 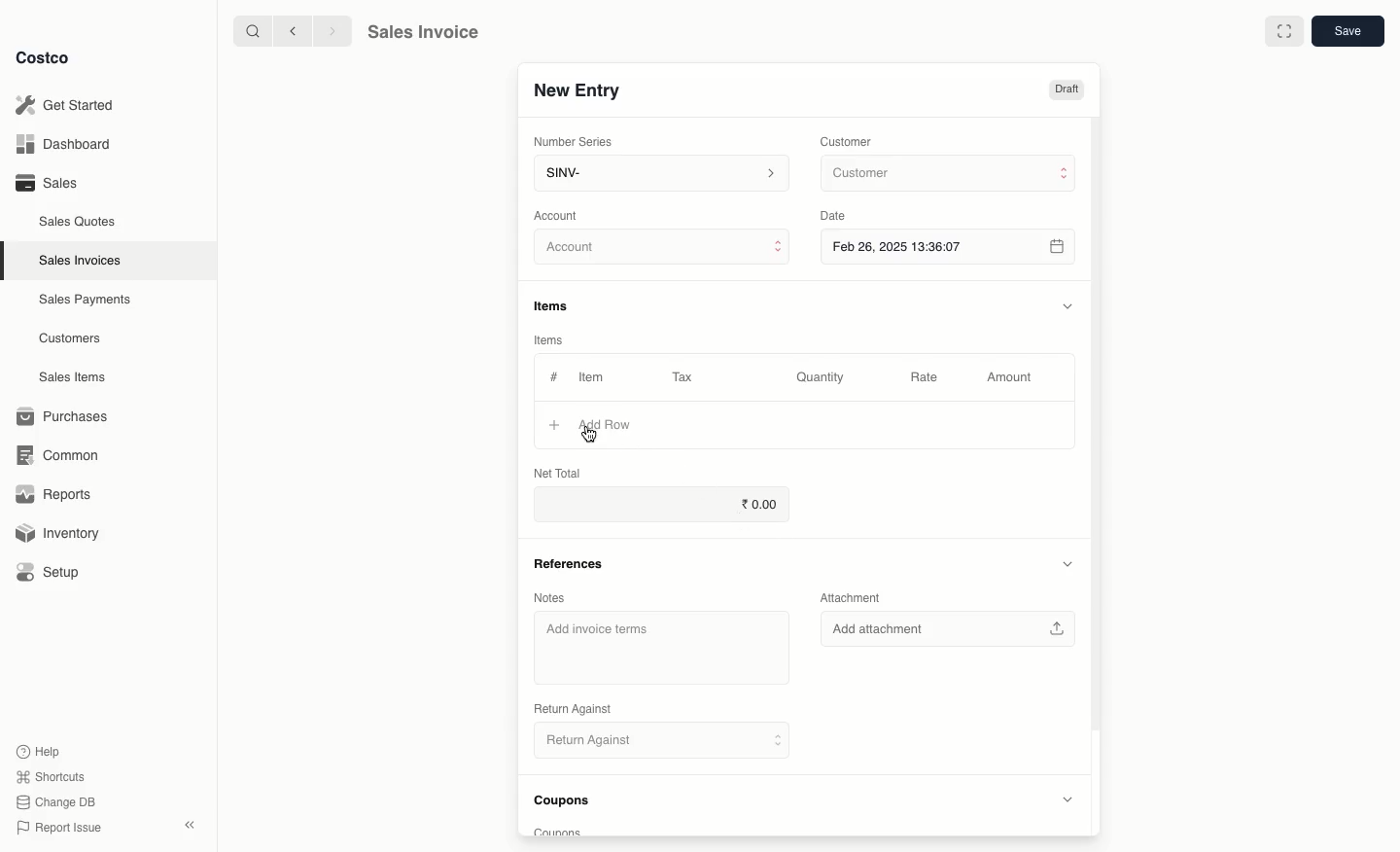 What do you see at coordinates (1350, 33) in the screenshot?
I see `Save` at bounding box center [1350, 33].